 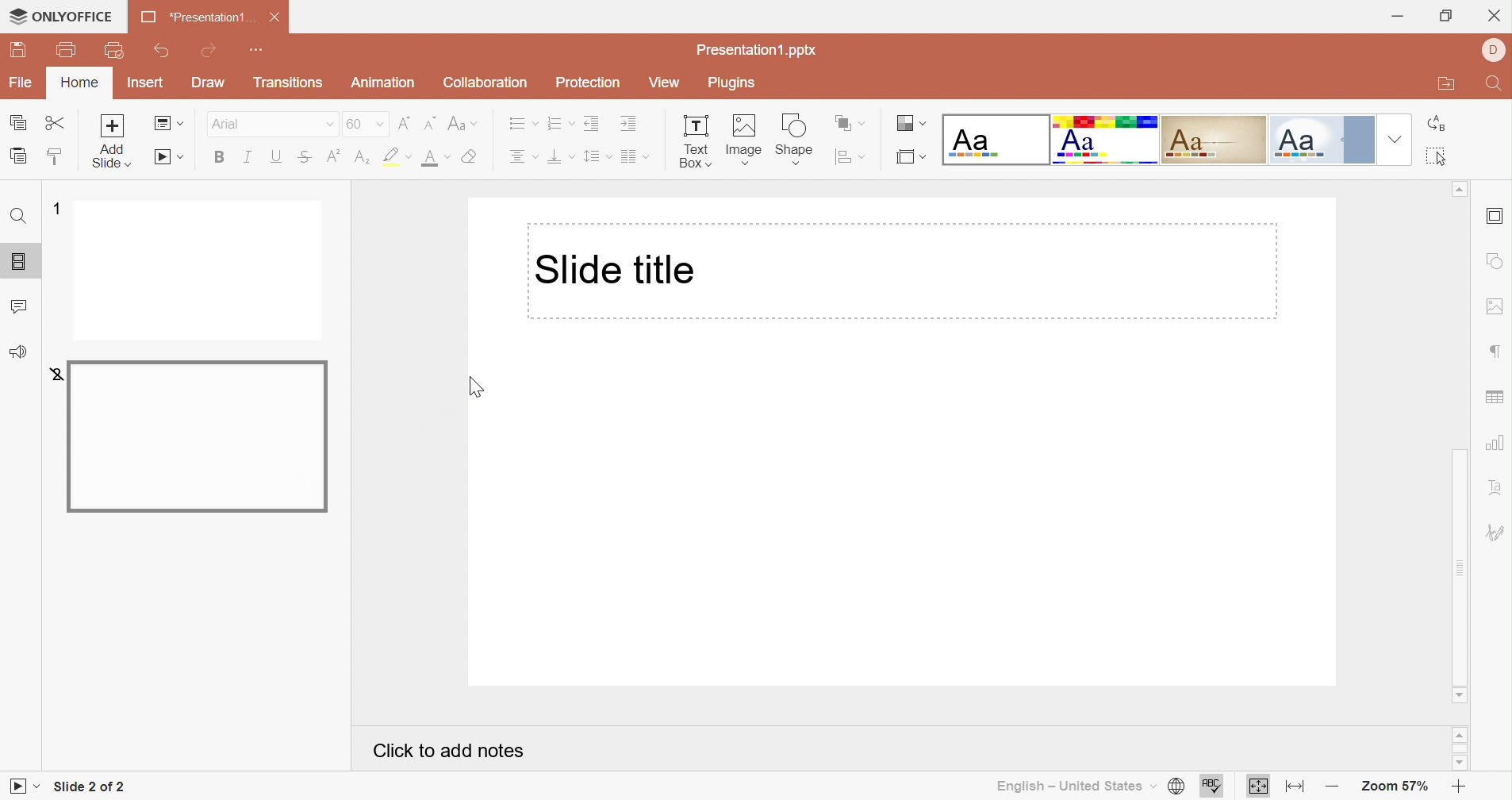 What do you see at coordinates (223, 157) in the screenshot?
I see `Bold` at bounding box center [223, 157].